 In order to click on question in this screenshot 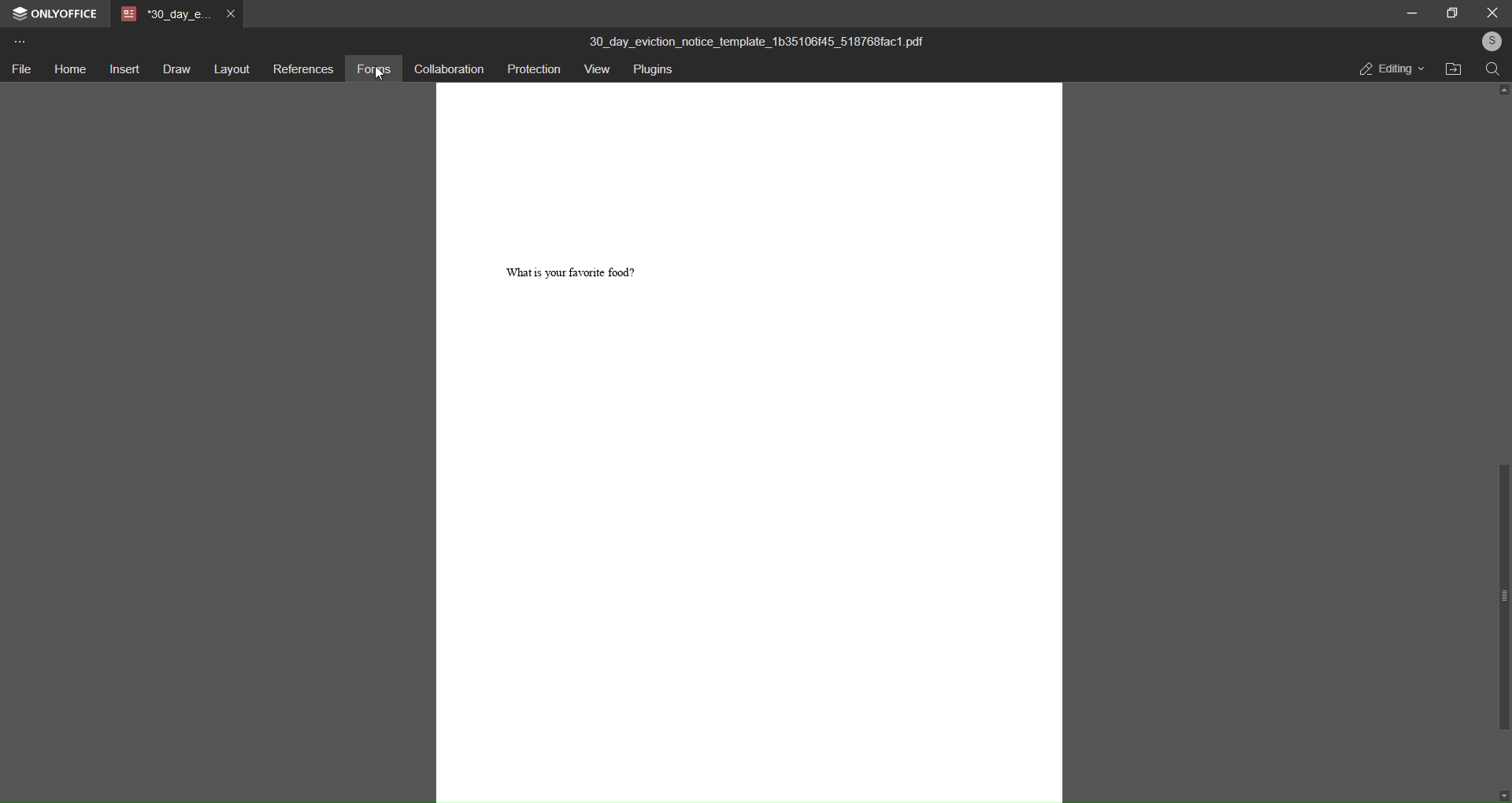, I will do `click(573, 269)`.